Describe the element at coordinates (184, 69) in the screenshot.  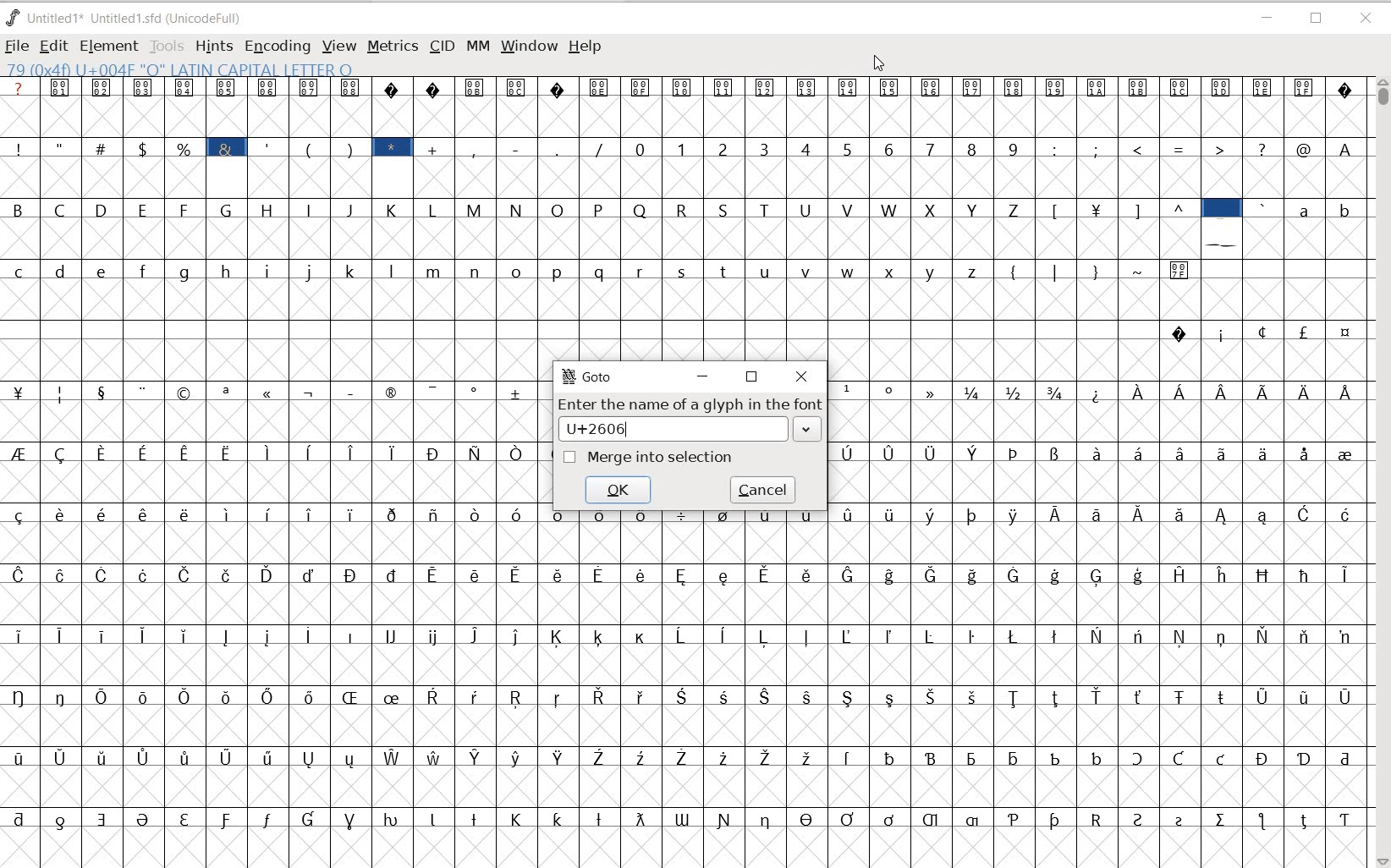
I see `79 (0+4f) U004F "O" LATIN CAPITAL LETTER O` at that location.